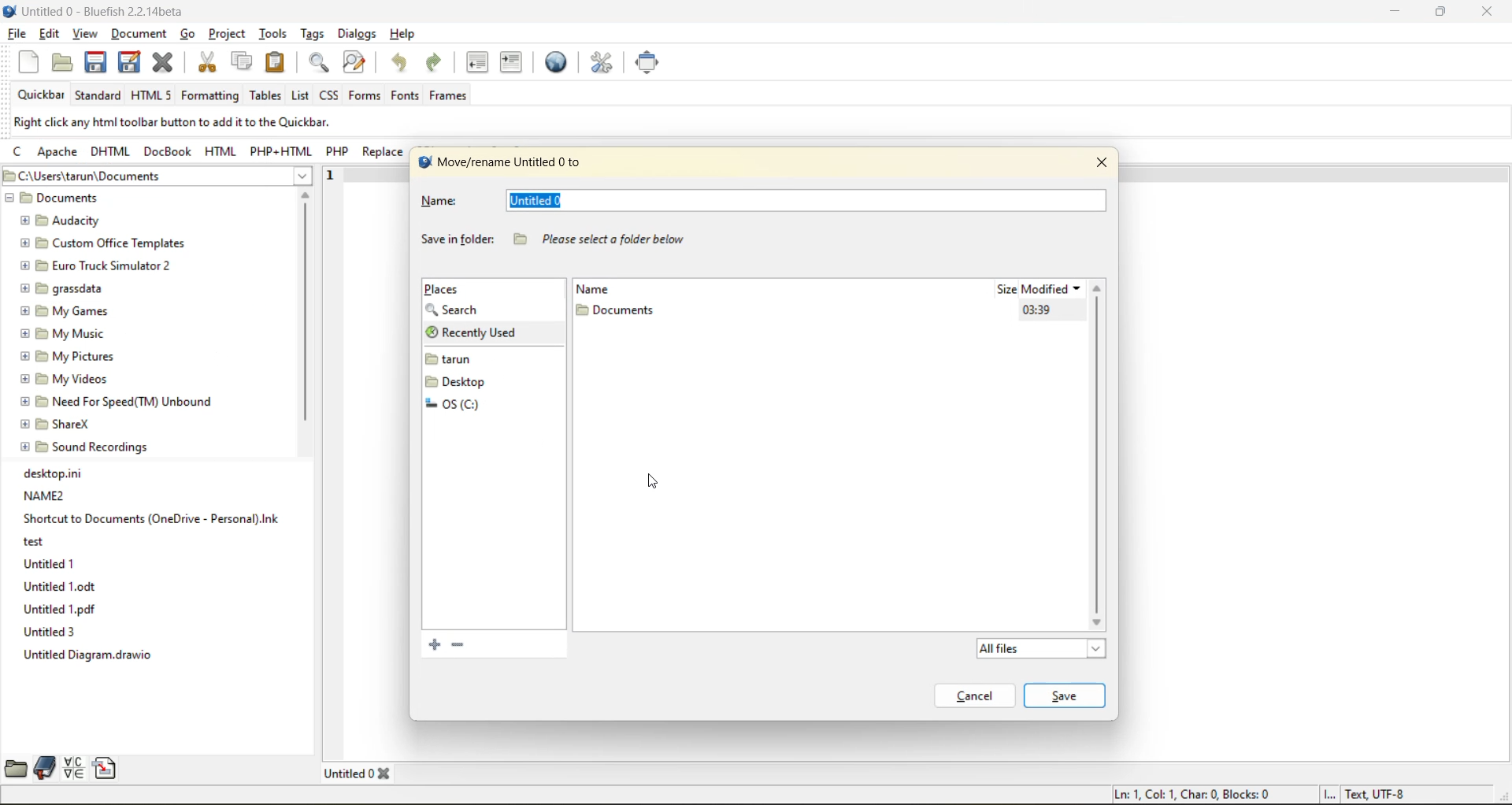  Describe the element at coordinates (511, 62) in the screenshot. I see `indent` at that location.